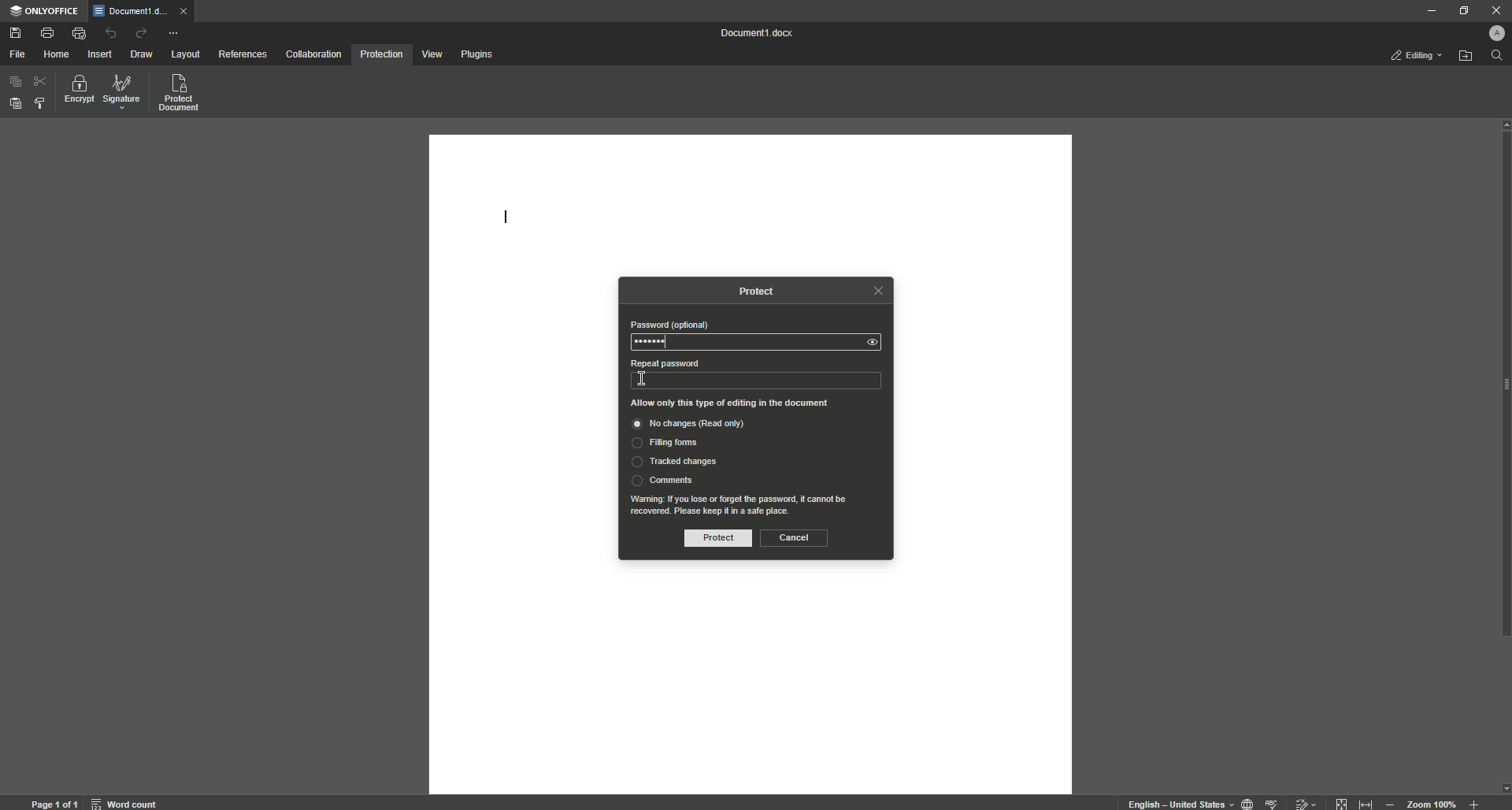 Image resolution: width=1512 pixels, height=810 pixels. I want to click on Open file location, so click(1466, 56).